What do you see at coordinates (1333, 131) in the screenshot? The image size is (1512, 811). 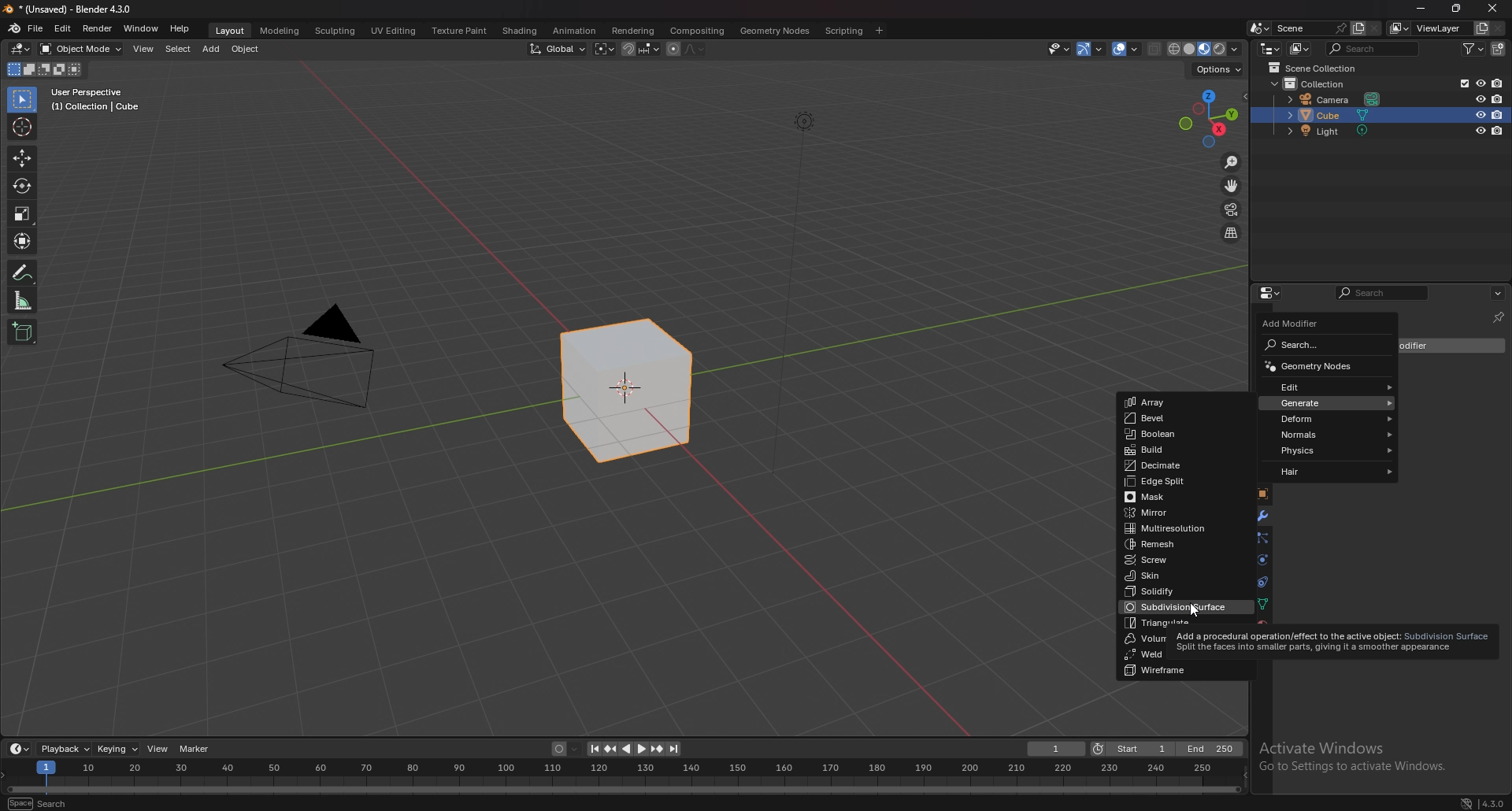 I see `light` at bounding box center [1333, 131].